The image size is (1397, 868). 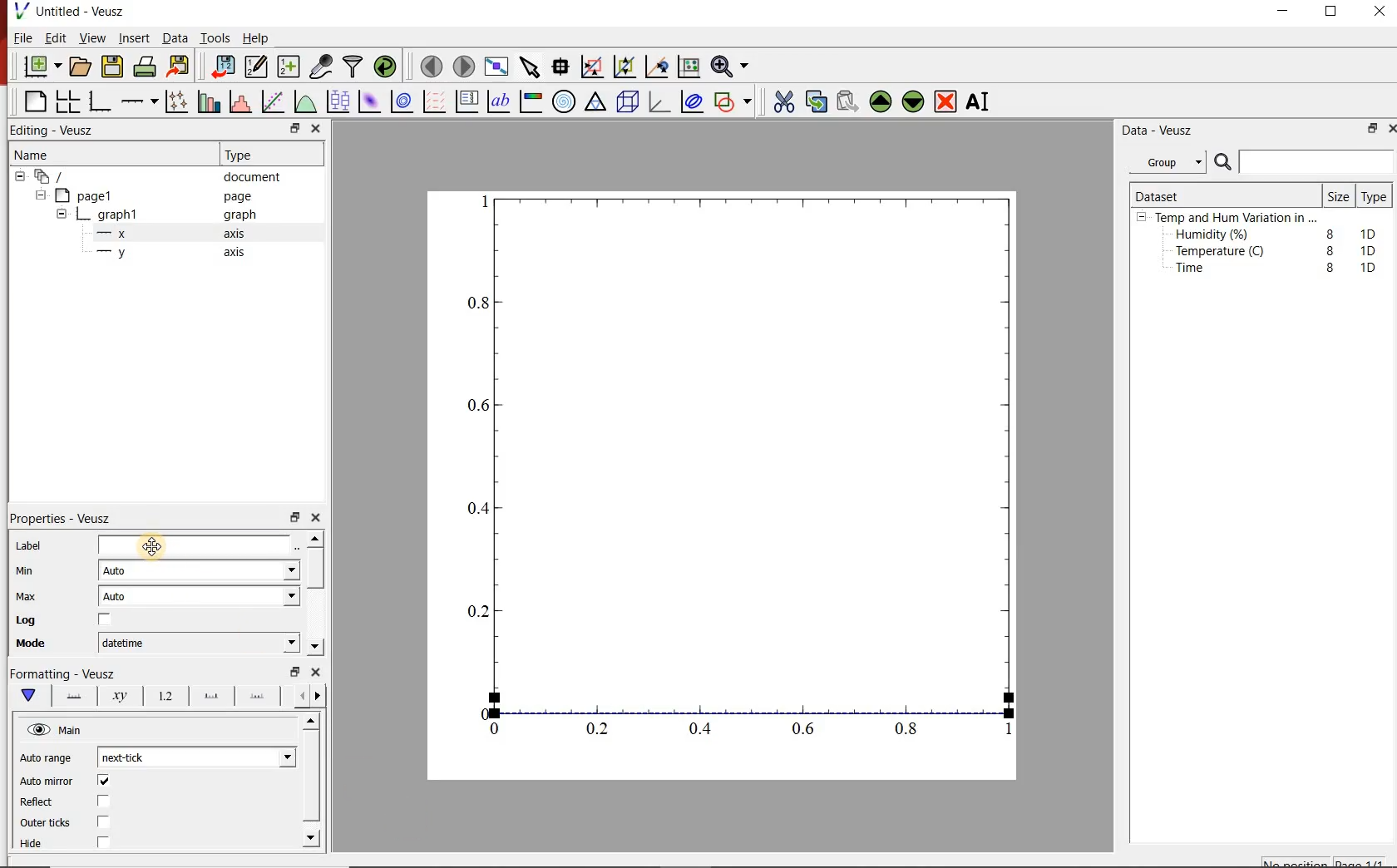 I want to click on click to zoom out of graph axes, so click(x=625, y=68).